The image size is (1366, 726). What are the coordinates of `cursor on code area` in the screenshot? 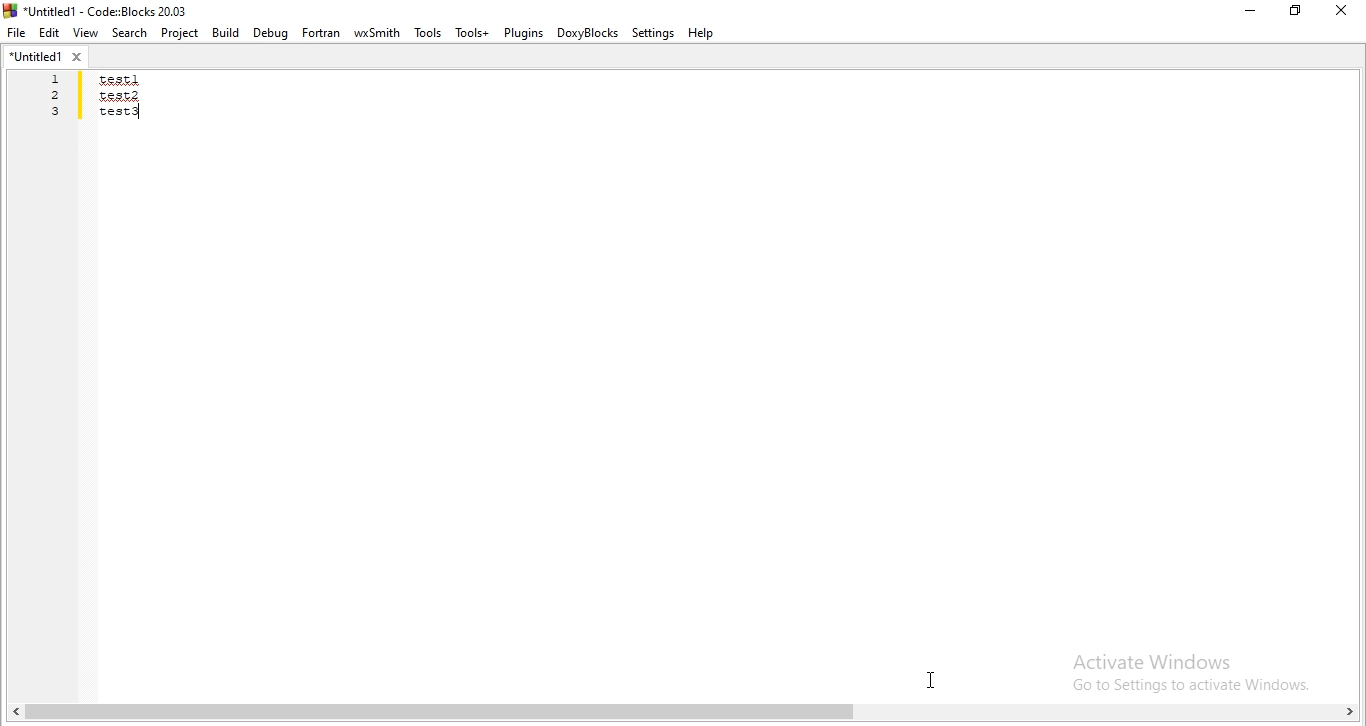 It's located at (929, 680).